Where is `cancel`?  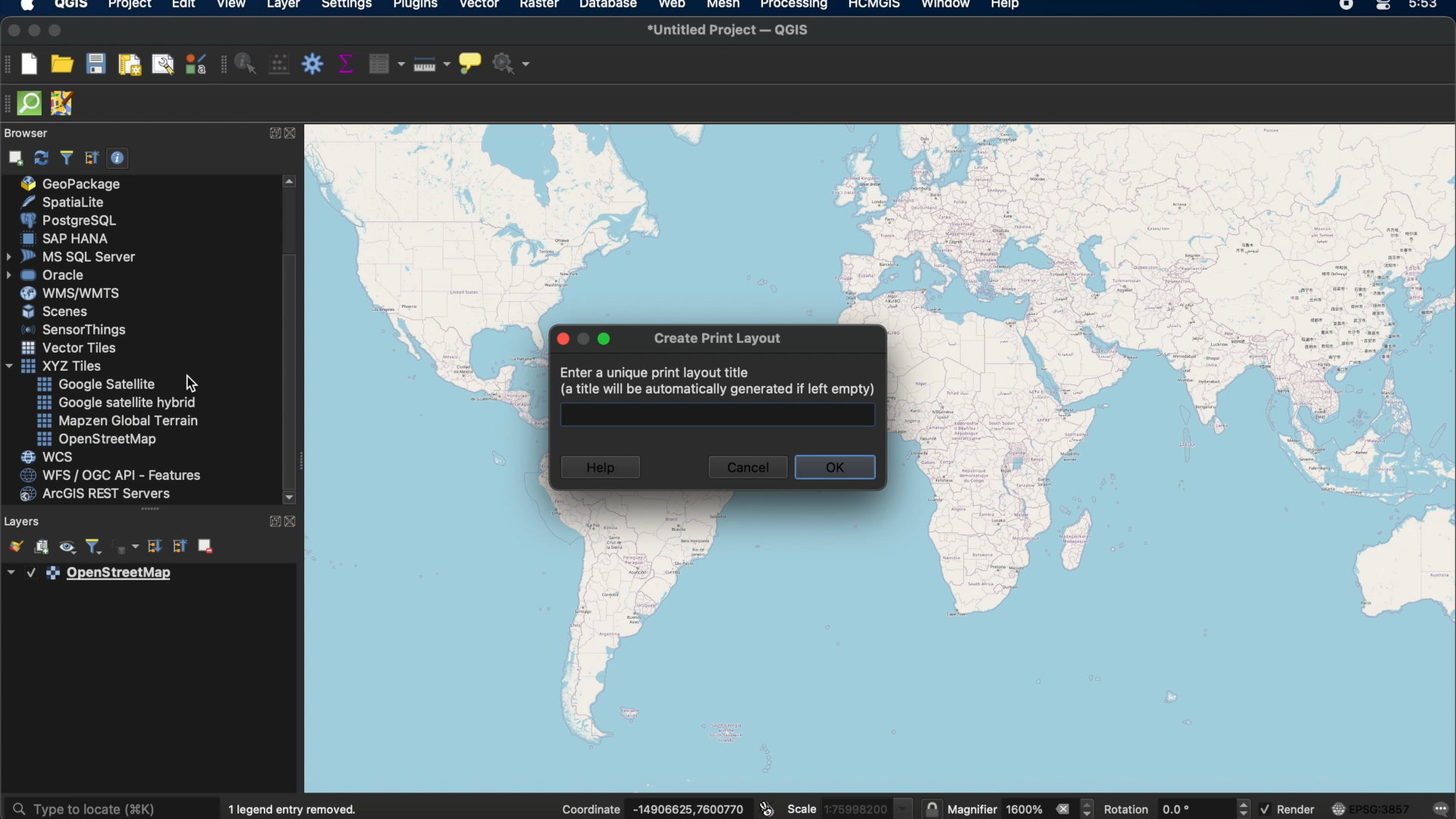
cancel is located at coordinates (748, 466).